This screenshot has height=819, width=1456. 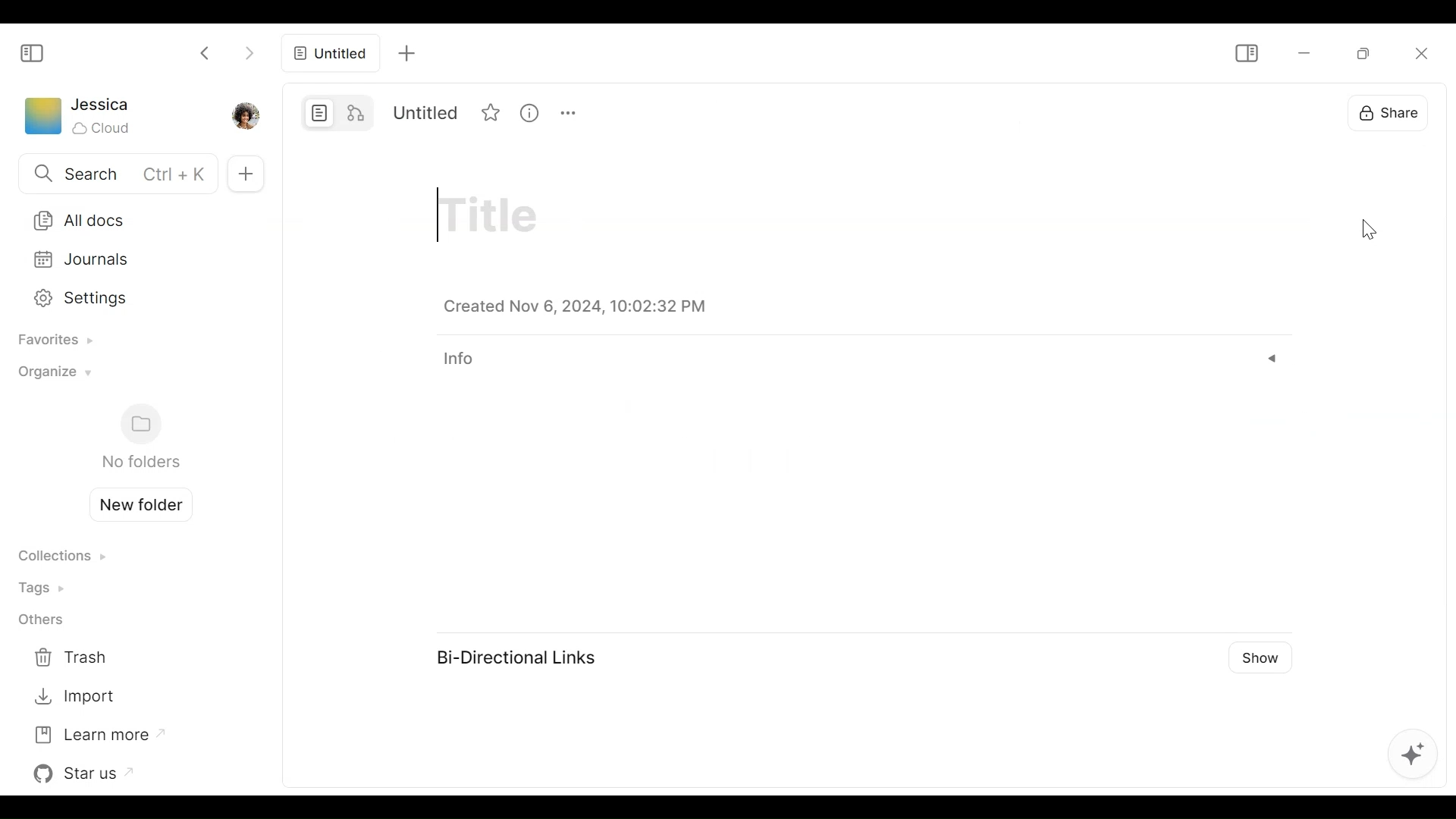 What do you see at coordinates (249, 50) in the screenshot?
I see `Click to go Forward` at bounding box center [249, 50].